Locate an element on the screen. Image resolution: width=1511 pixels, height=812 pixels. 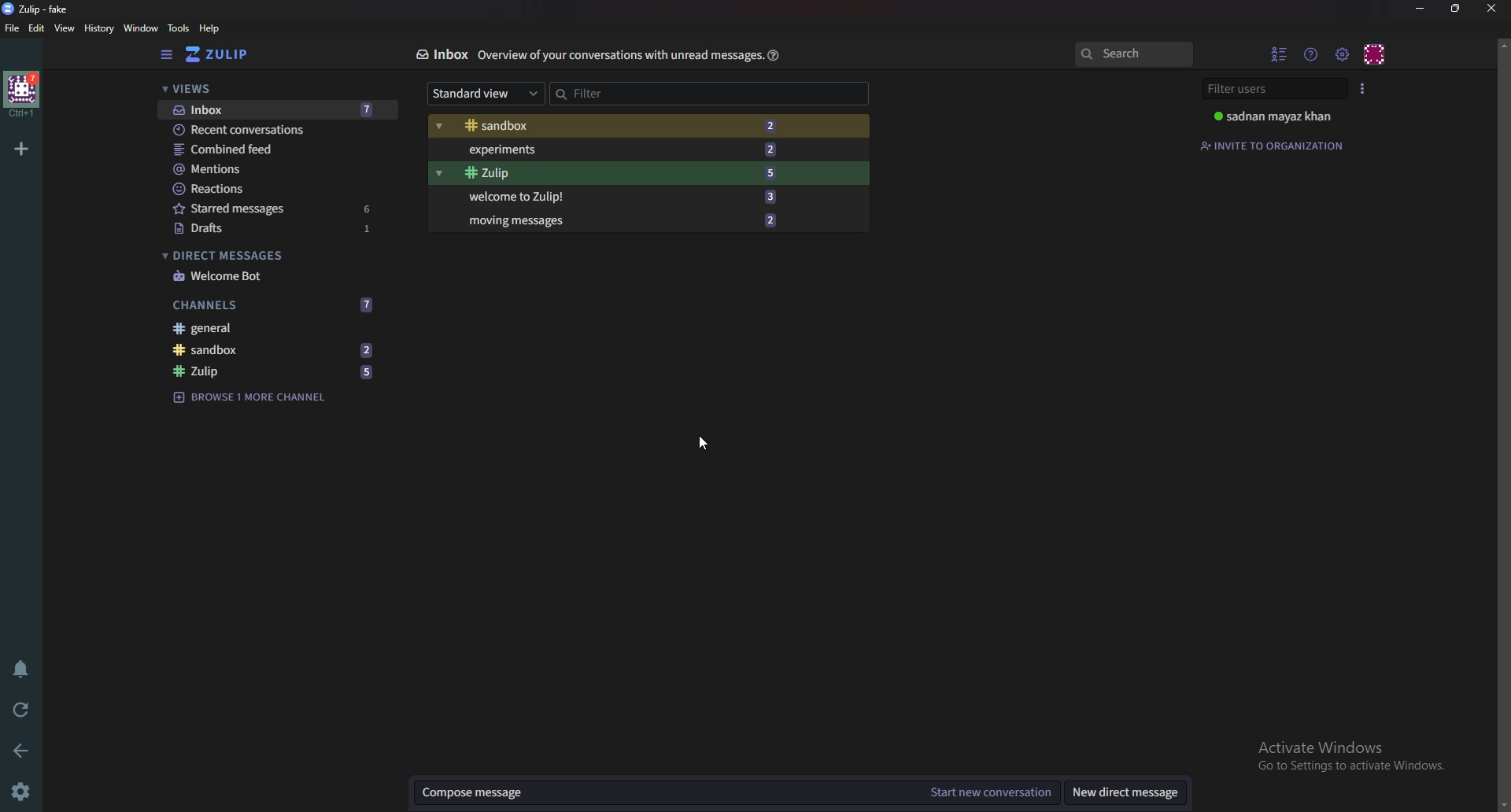
overview of your conversations with unread messages is located at coordinates (619, 55).